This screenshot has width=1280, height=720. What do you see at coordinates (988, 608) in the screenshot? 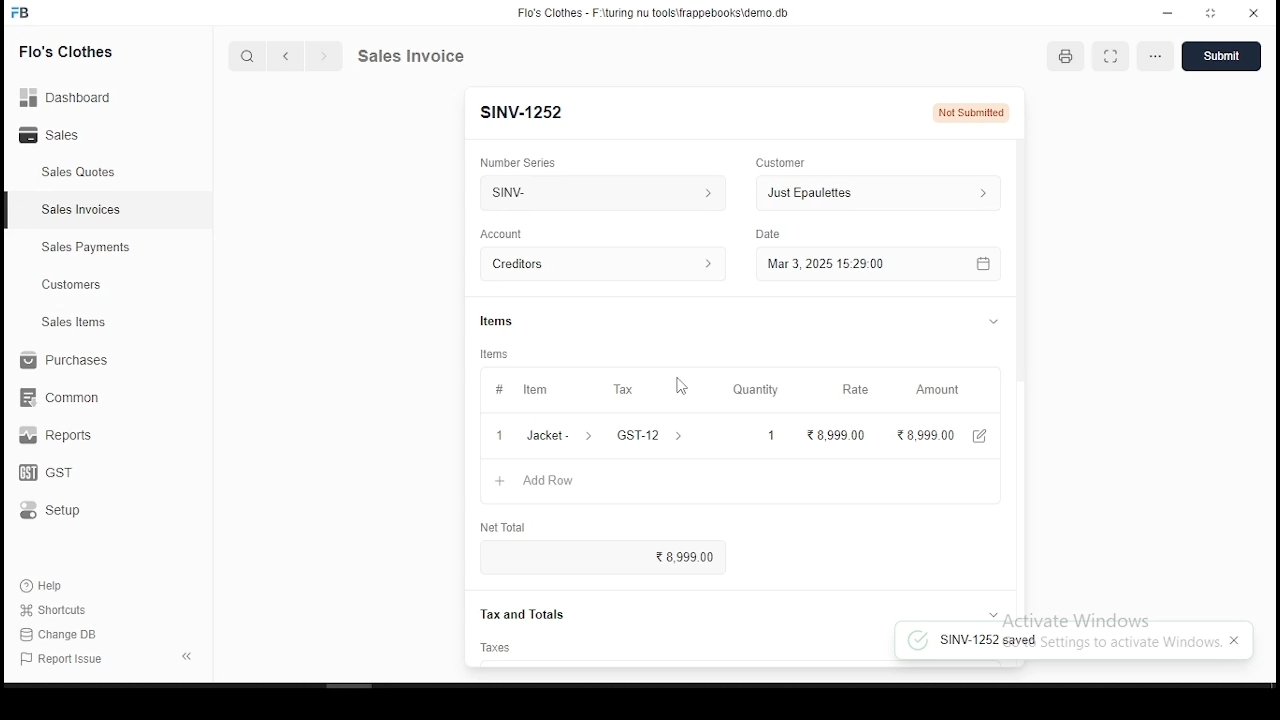
I see `expand` at bounding box center [988, 608].